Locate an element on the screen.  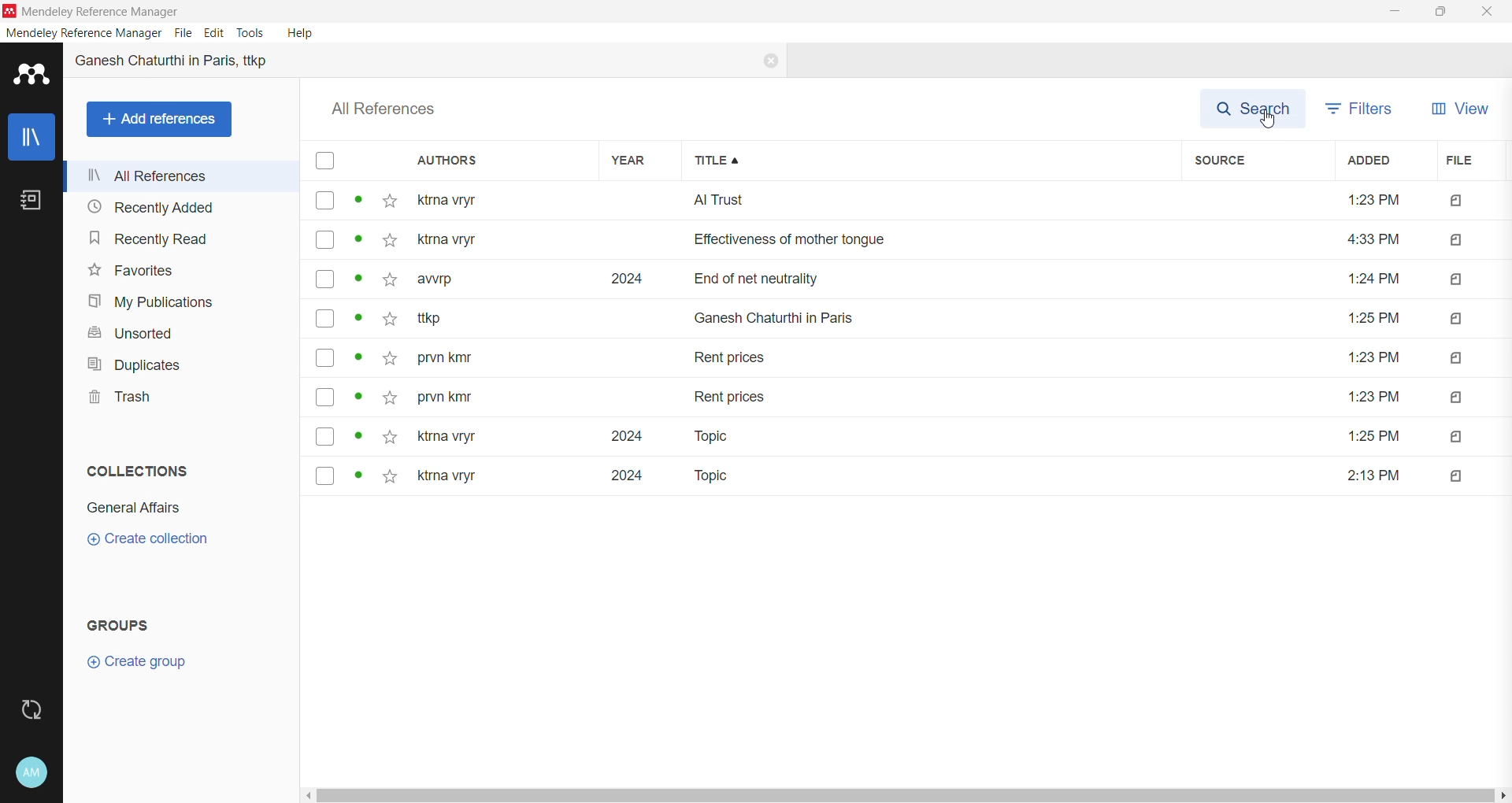
| Mendeley Reference Manager is located at coordinates (93, 10).